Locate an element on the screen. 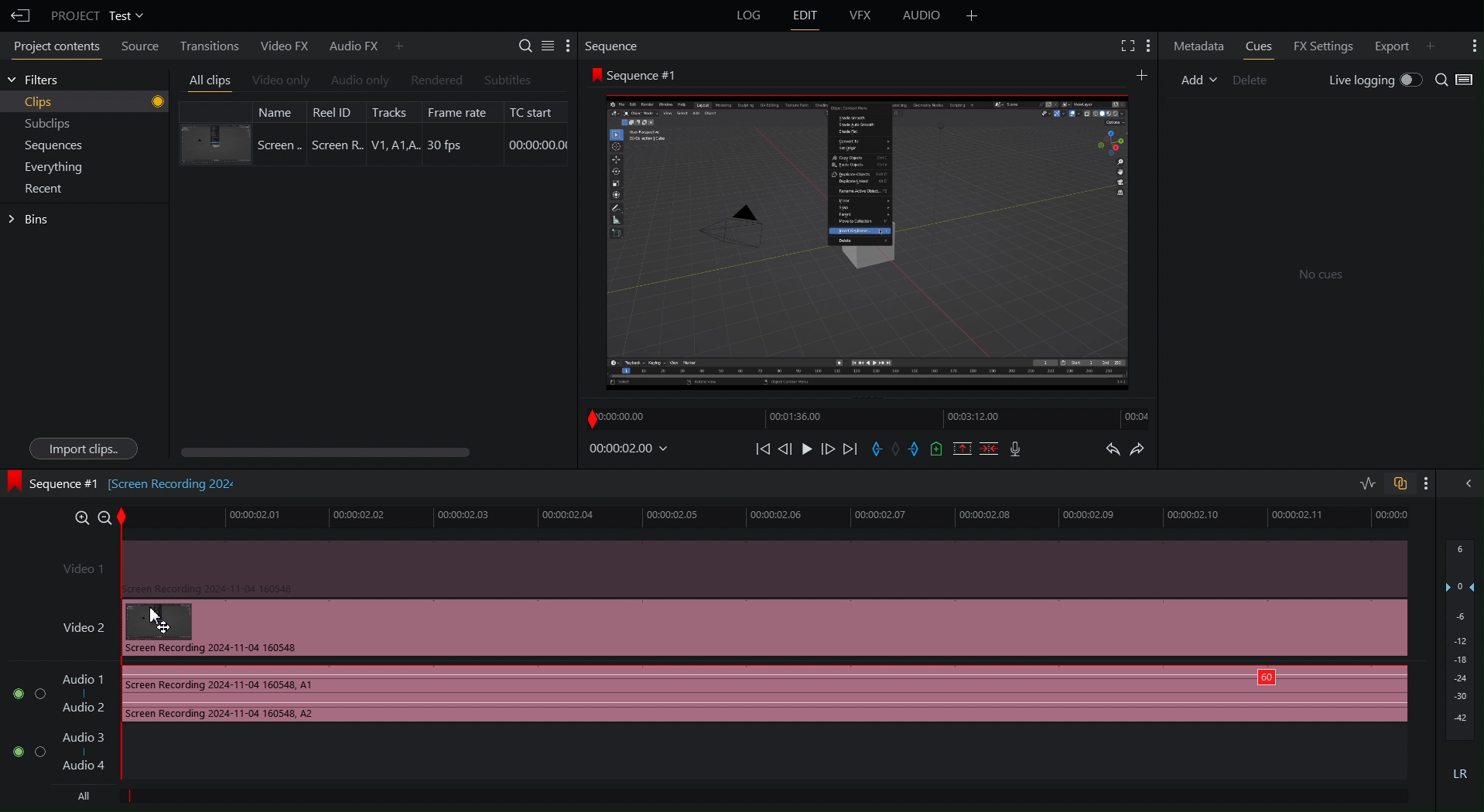 This screenshot has width=1484, height=812. Audio Levels is located at coordinates (1460, 666).